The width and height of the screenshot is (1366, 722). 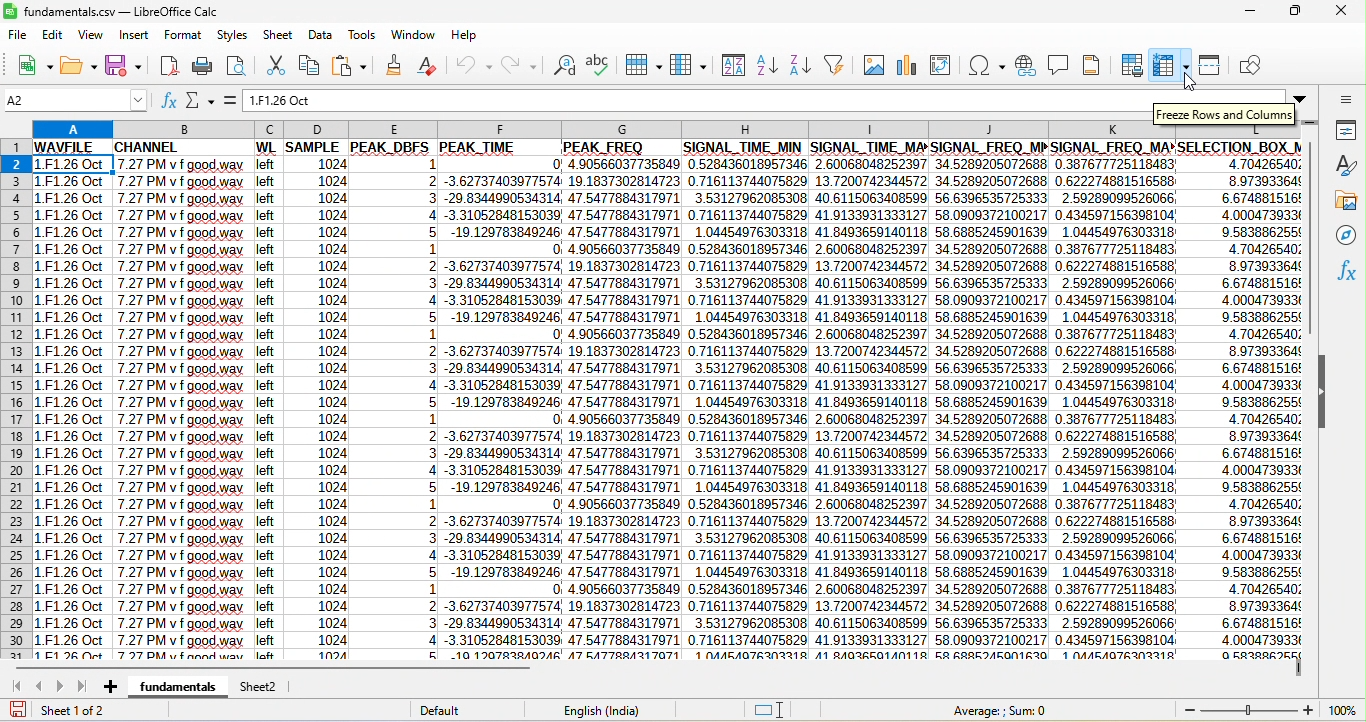 I want to click on edit, so click(x=56, y=36).